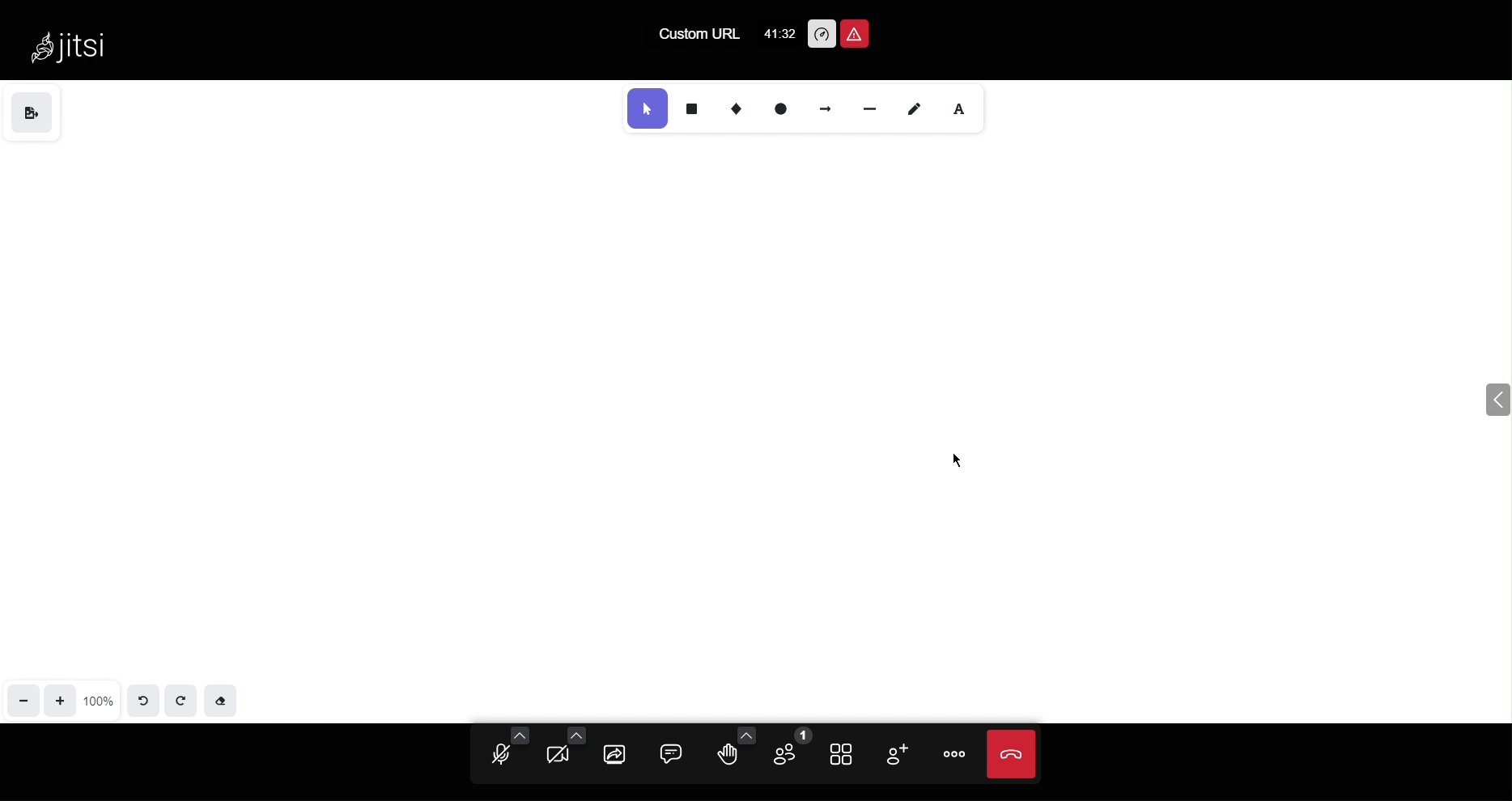 This screenshot has height=801, width=1512. I want to click on 100%, so click(99, 701).